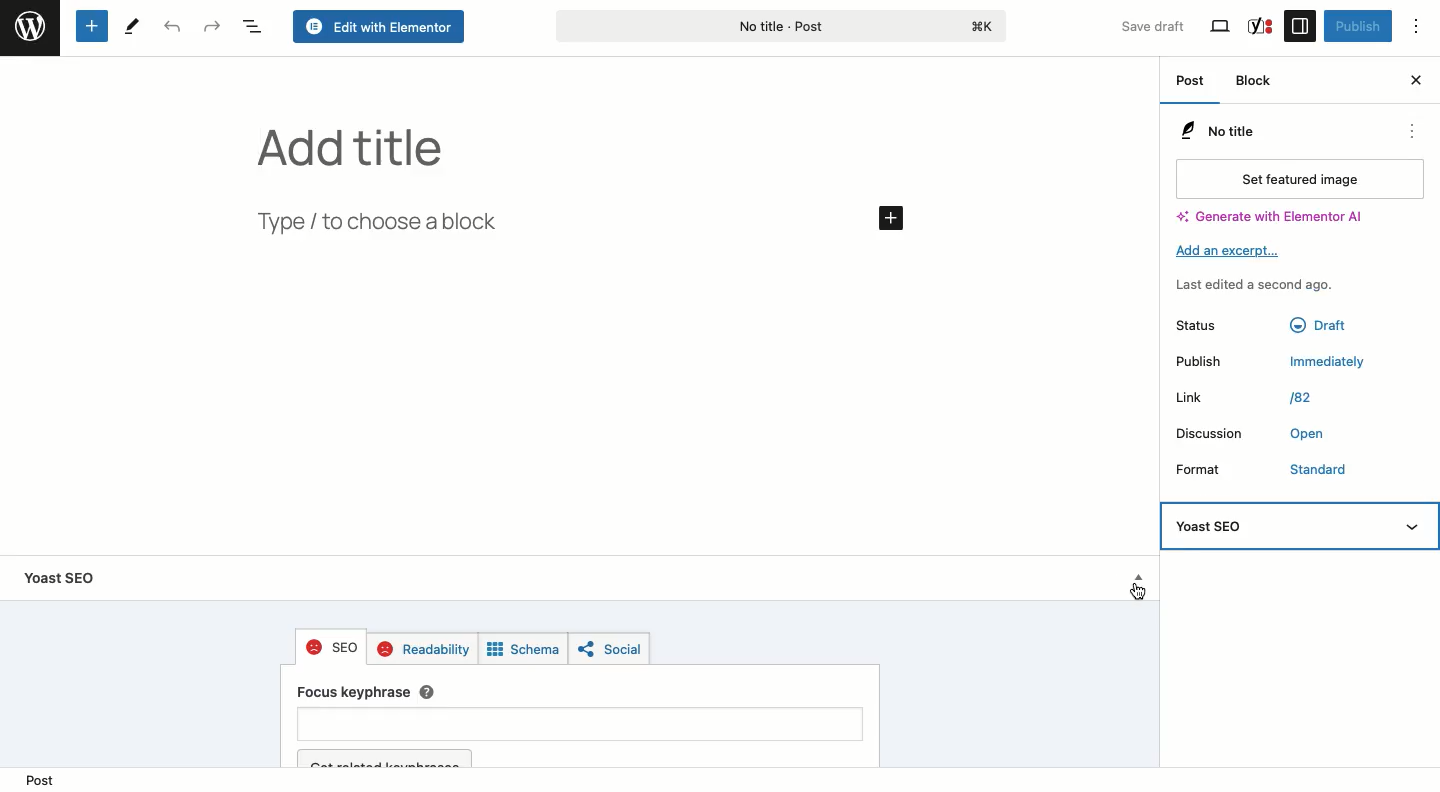 The width and height of the screenshot is (1440, 792). What do you see at coordinates (90, 27) in the screenshot?
I see `Add new block` at bounding box center [90, 27].